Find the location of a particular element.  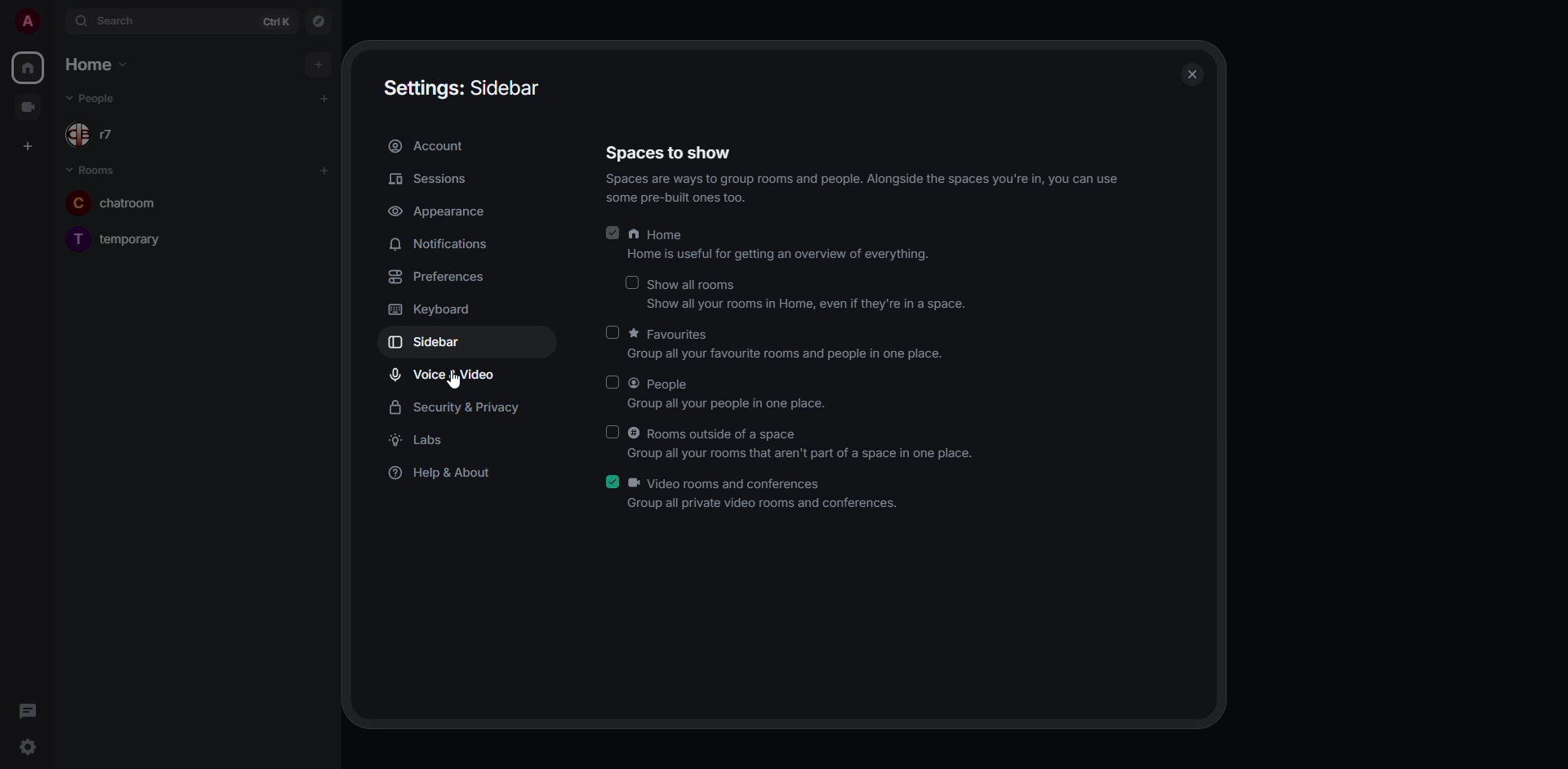

notifications is located at coordinates (447, 244).